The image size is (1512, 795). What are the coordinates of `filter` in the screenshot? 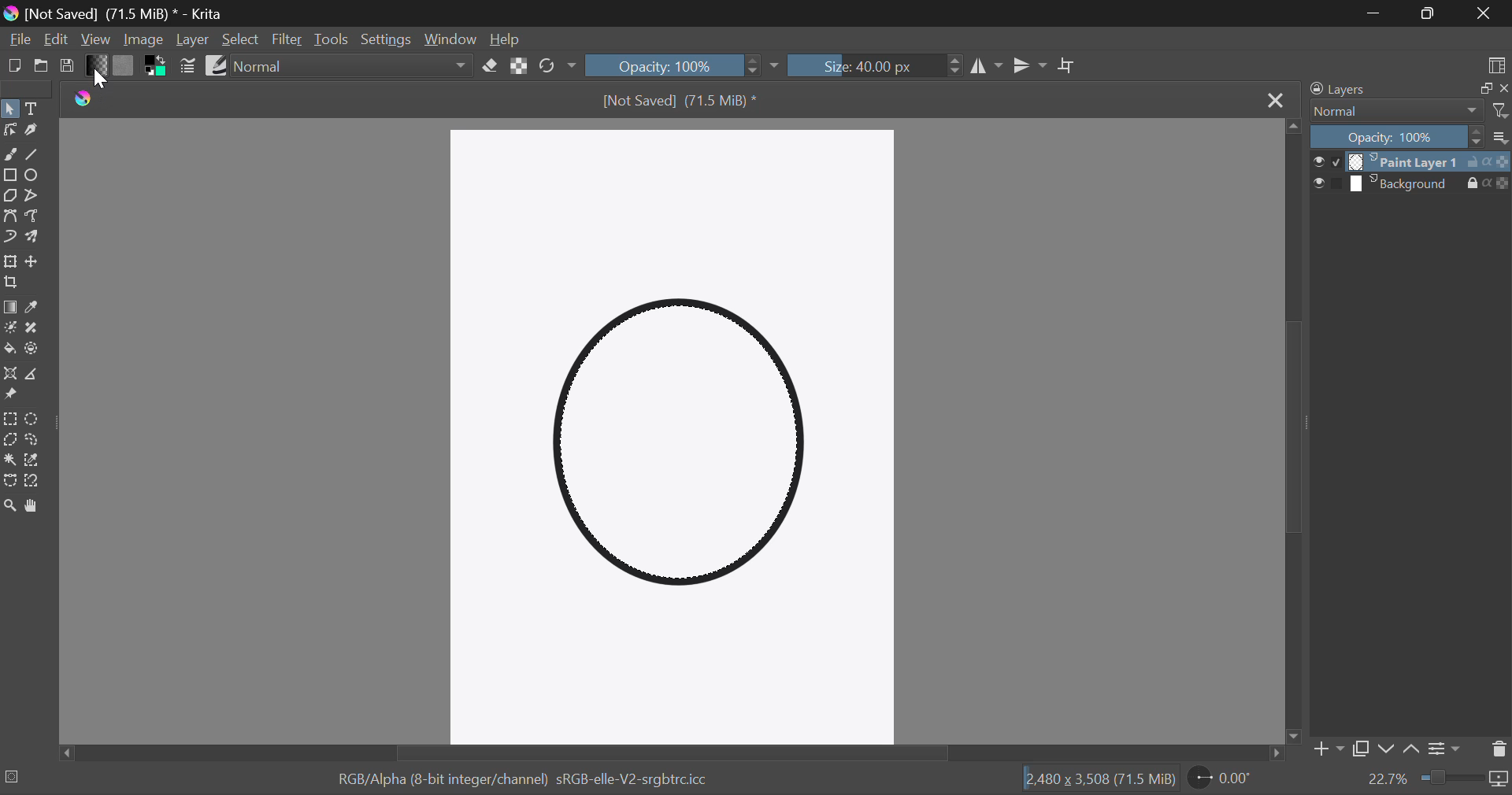 It's located at (1499, 111).